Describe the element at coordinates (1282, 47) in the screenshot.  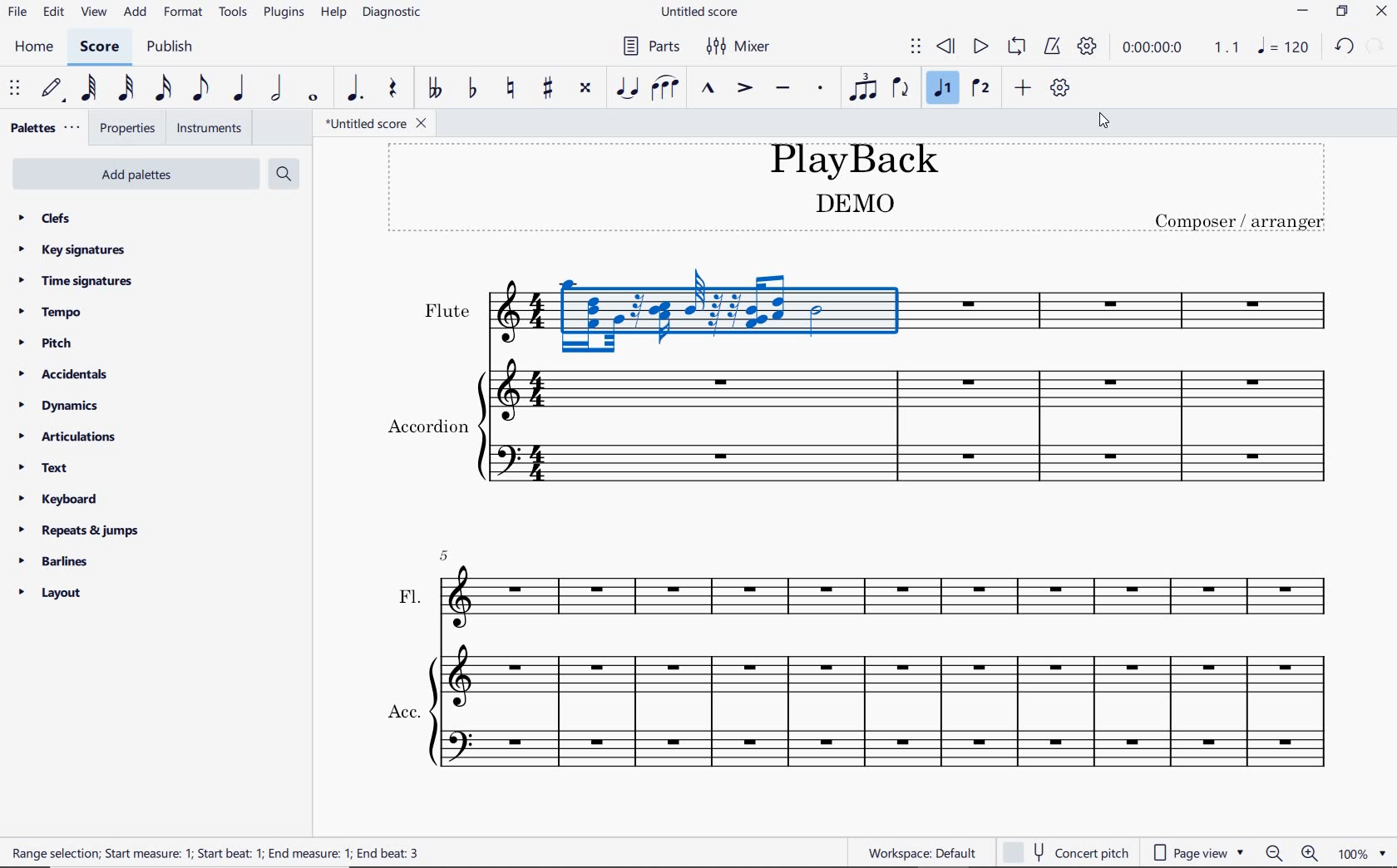
I see `NOTE` at that location.